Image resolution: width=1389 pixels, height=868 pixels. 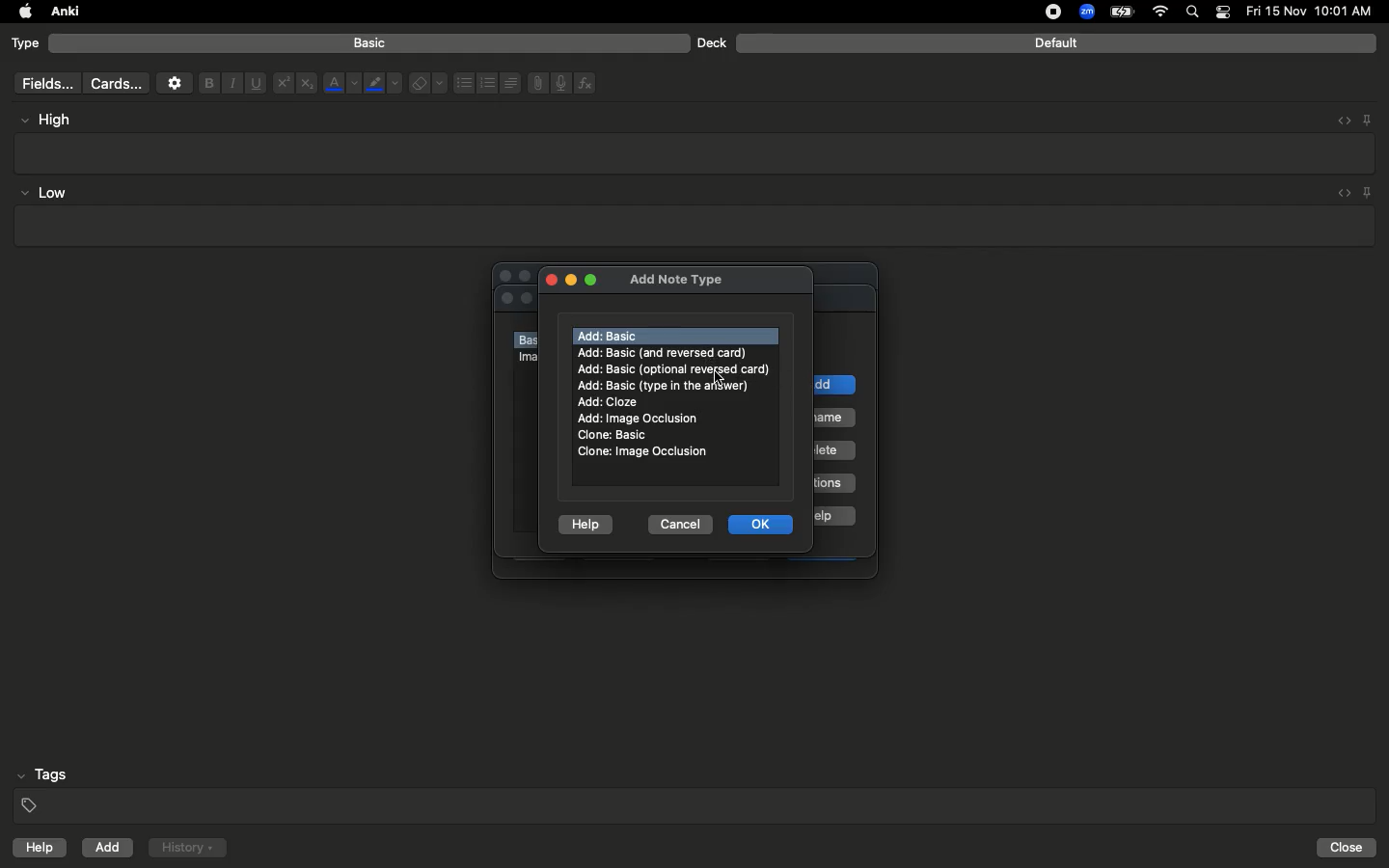 What do you see at coordinates (586, 521) in the screenshot?
I see `Help` at bounding box center [586, 521].